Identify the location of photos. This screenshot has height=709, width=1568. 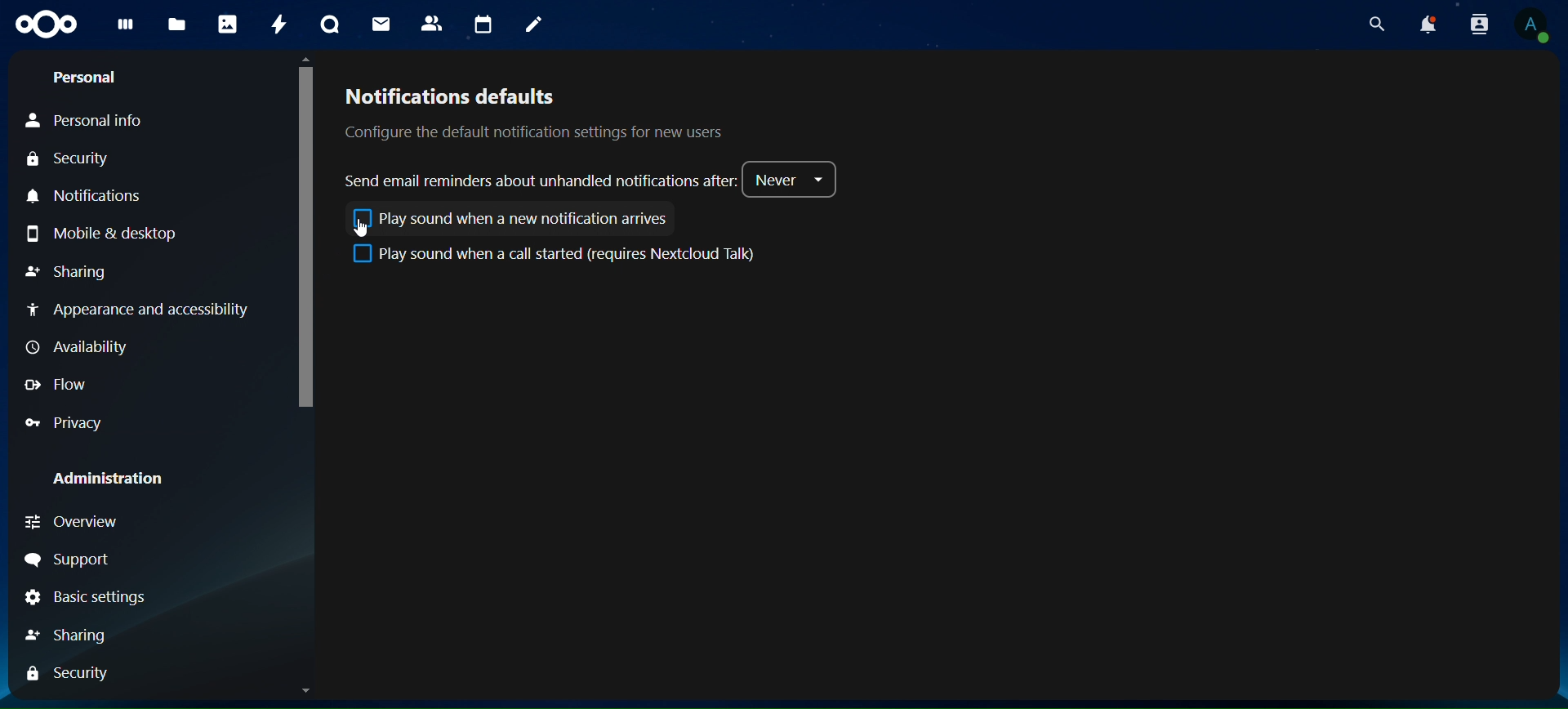
(225, 25).